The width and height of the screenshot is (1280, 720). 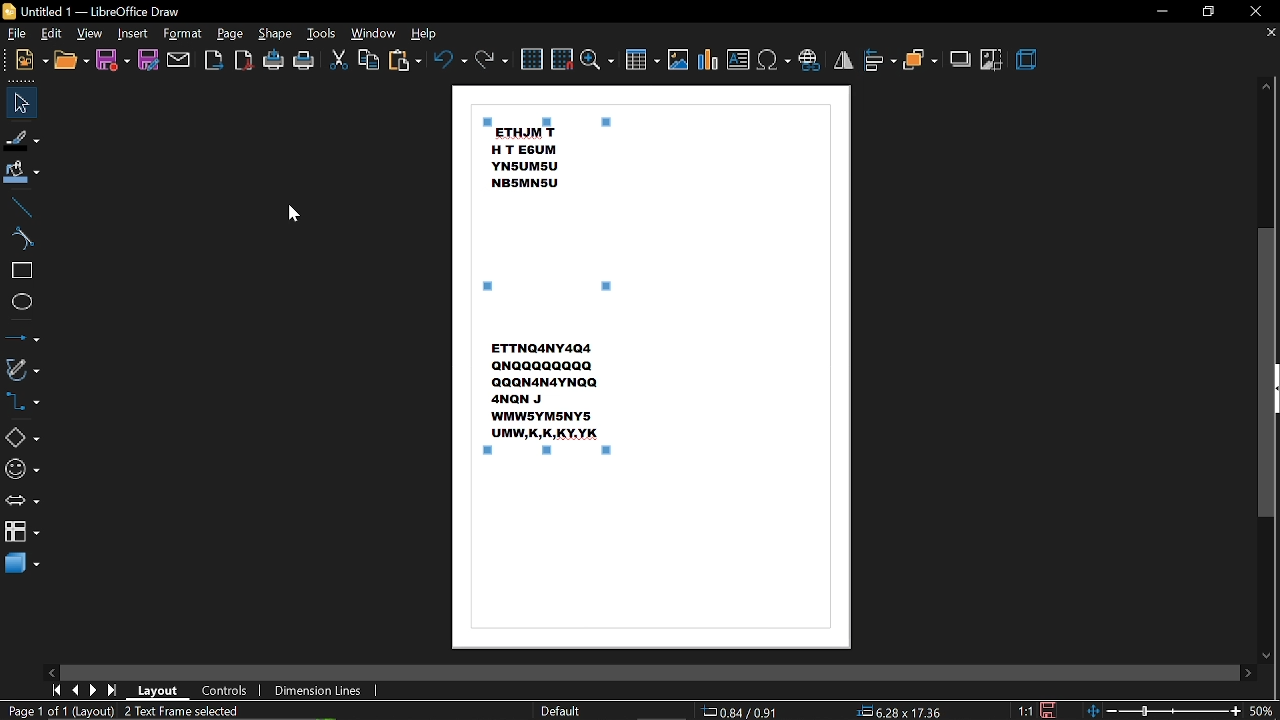 I want to click on flip, so click(x=844, y=59).